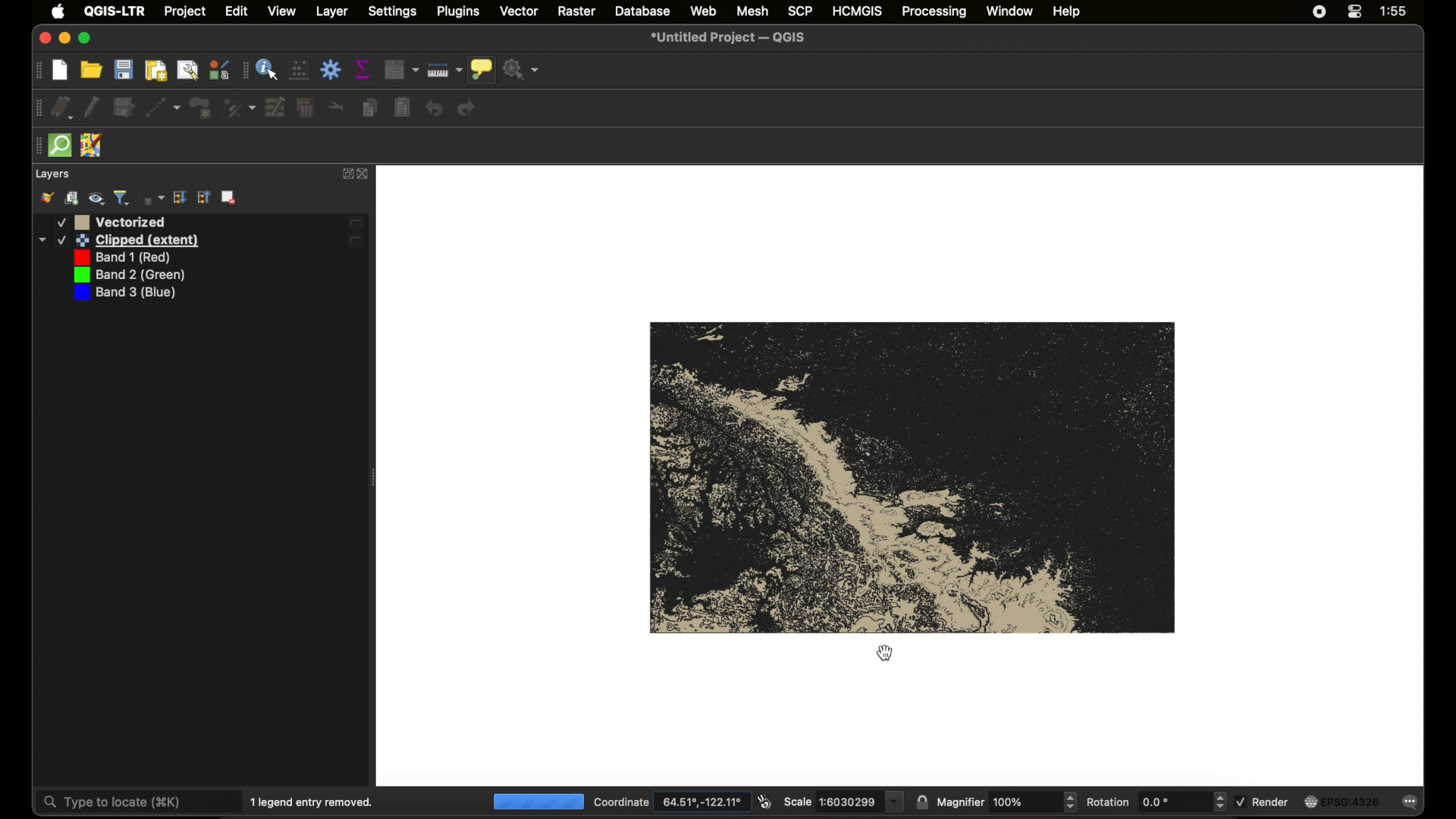 Image resolution: width=1456 pixels, height=819 pixels. I want to click on toggle  extents and mouse  display  position, so click(764, 802).